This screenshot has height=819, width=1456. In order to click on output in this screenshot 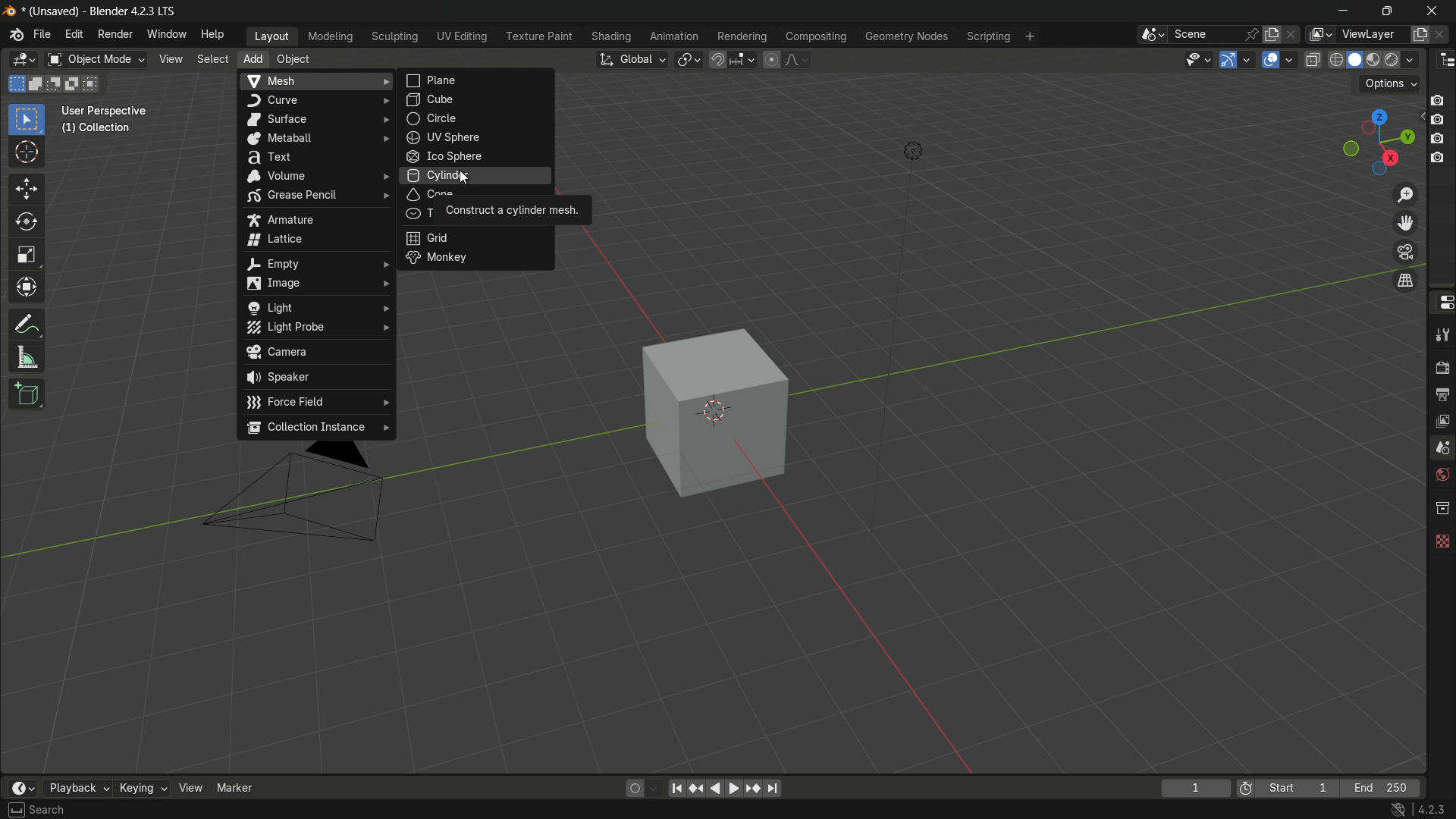, I will do `click(1442, 396)`.